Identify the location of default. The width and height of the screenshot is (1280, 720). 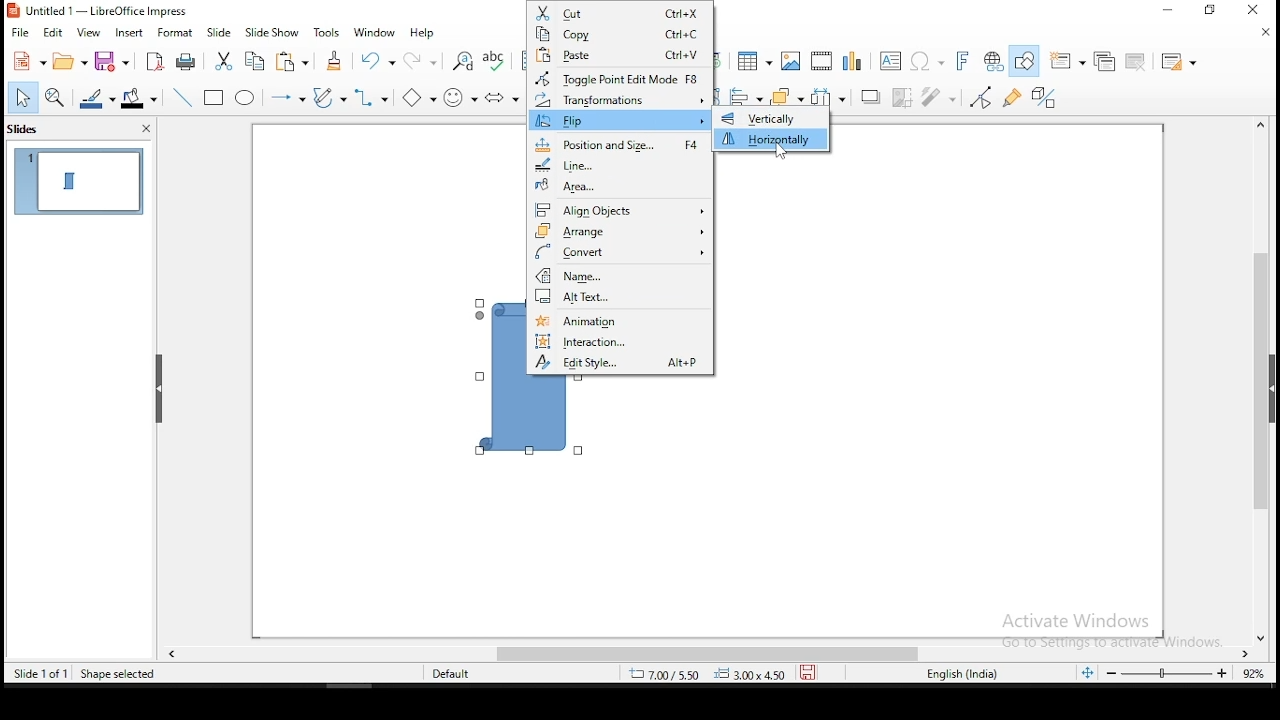
(451, 675).